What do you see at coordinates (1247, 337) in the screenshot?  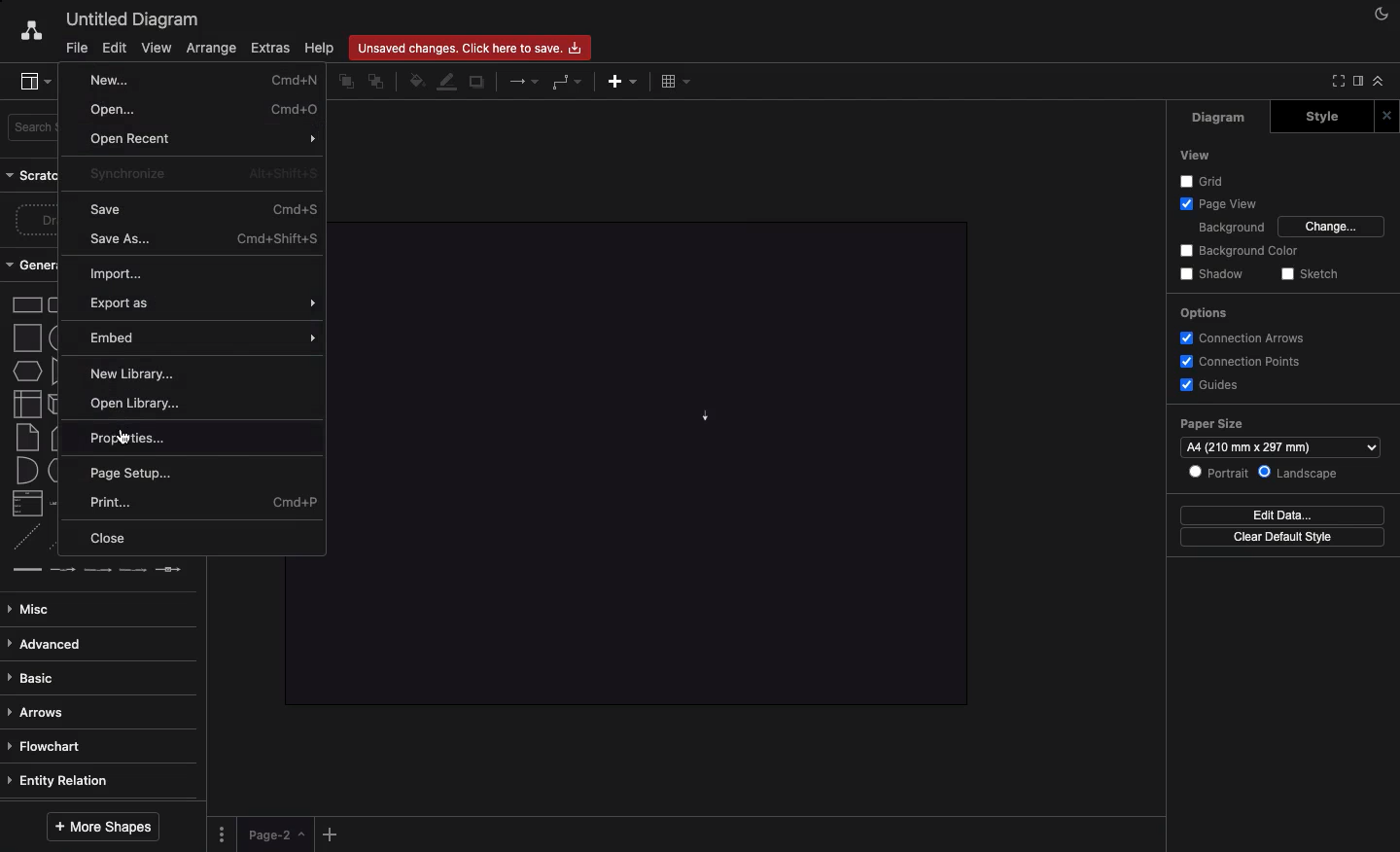 I see `Connection arrows` at bounding box center [1247, 337].